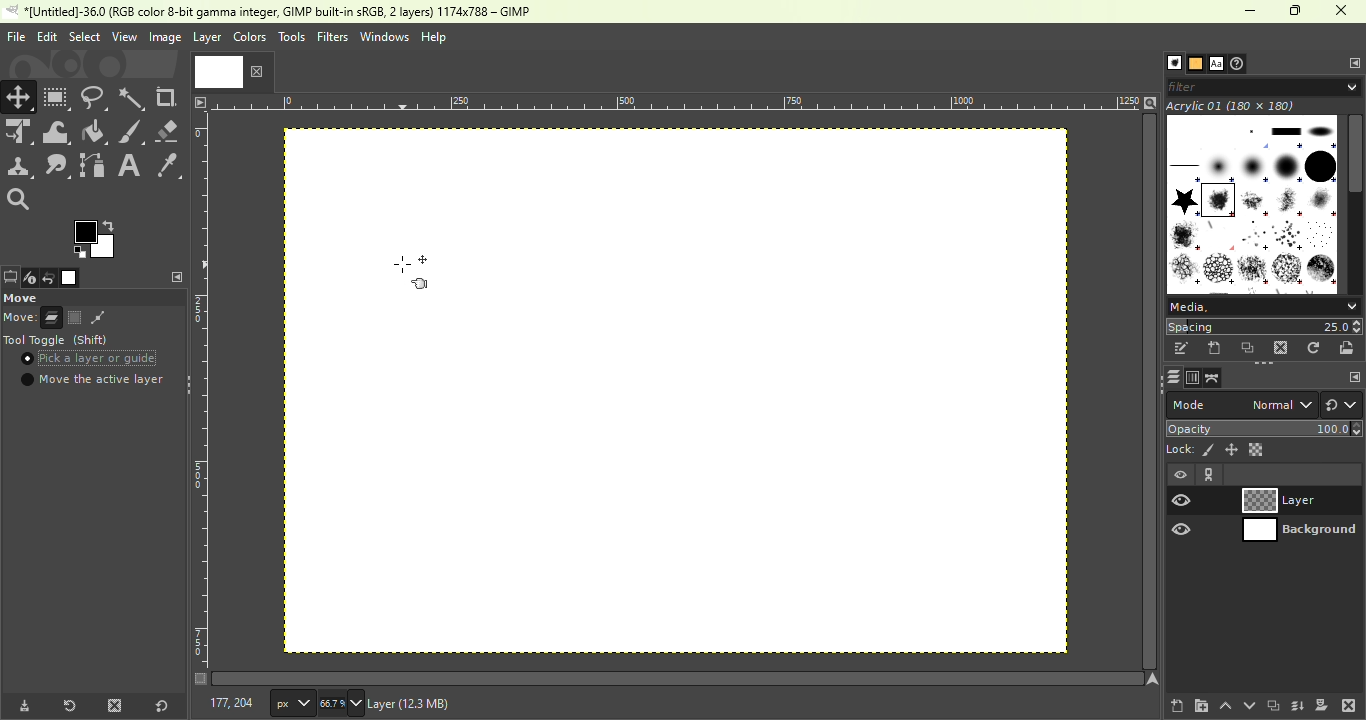 The width and height of the screenshot is (1366, 720). What do you see at coordinates (95, 96) in the screenshot?
I see `Free select tool` at bounding box center [95, 96].